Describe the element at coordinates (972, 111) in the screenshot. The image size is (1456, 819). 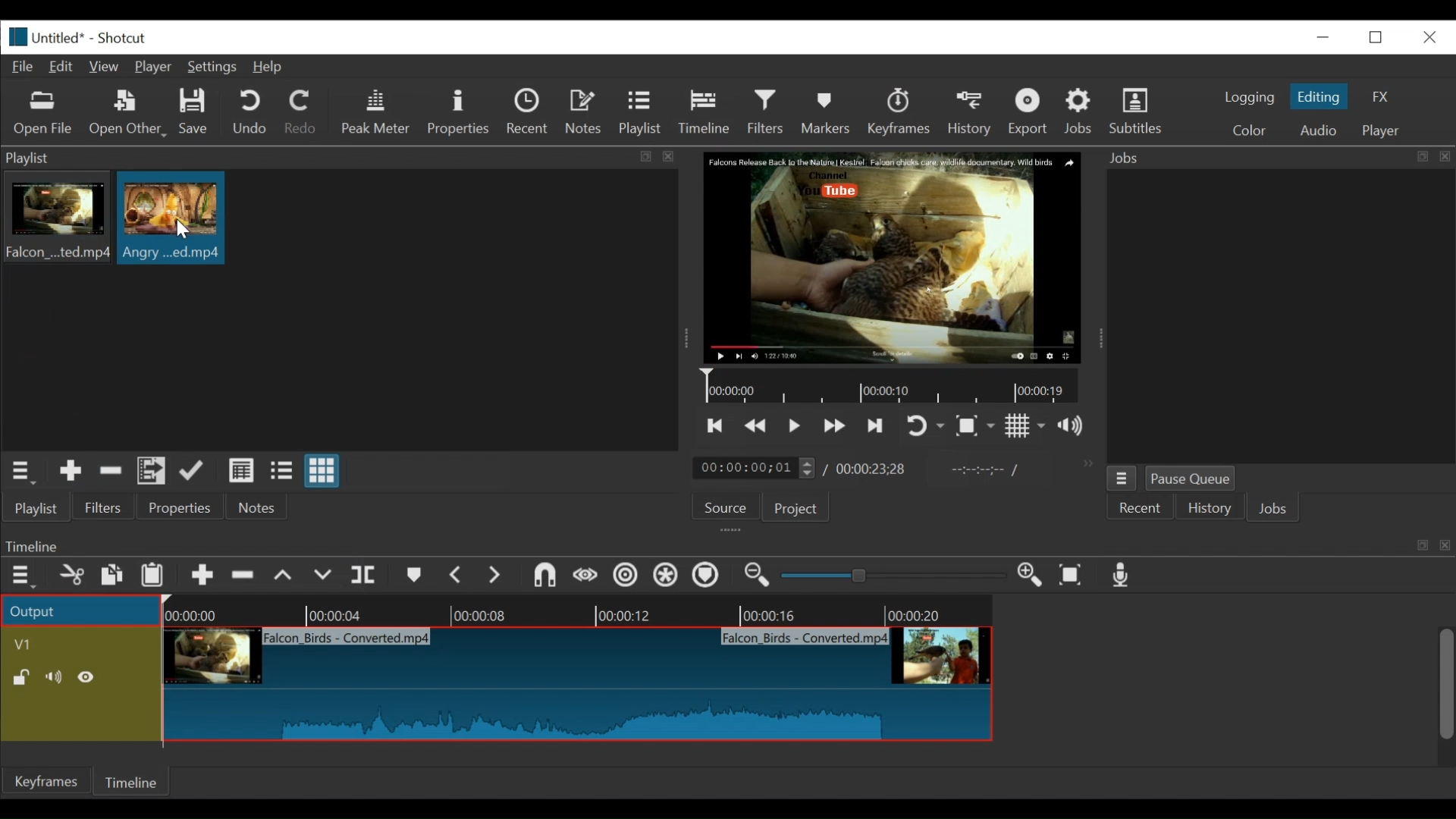
I see `History` at that location.